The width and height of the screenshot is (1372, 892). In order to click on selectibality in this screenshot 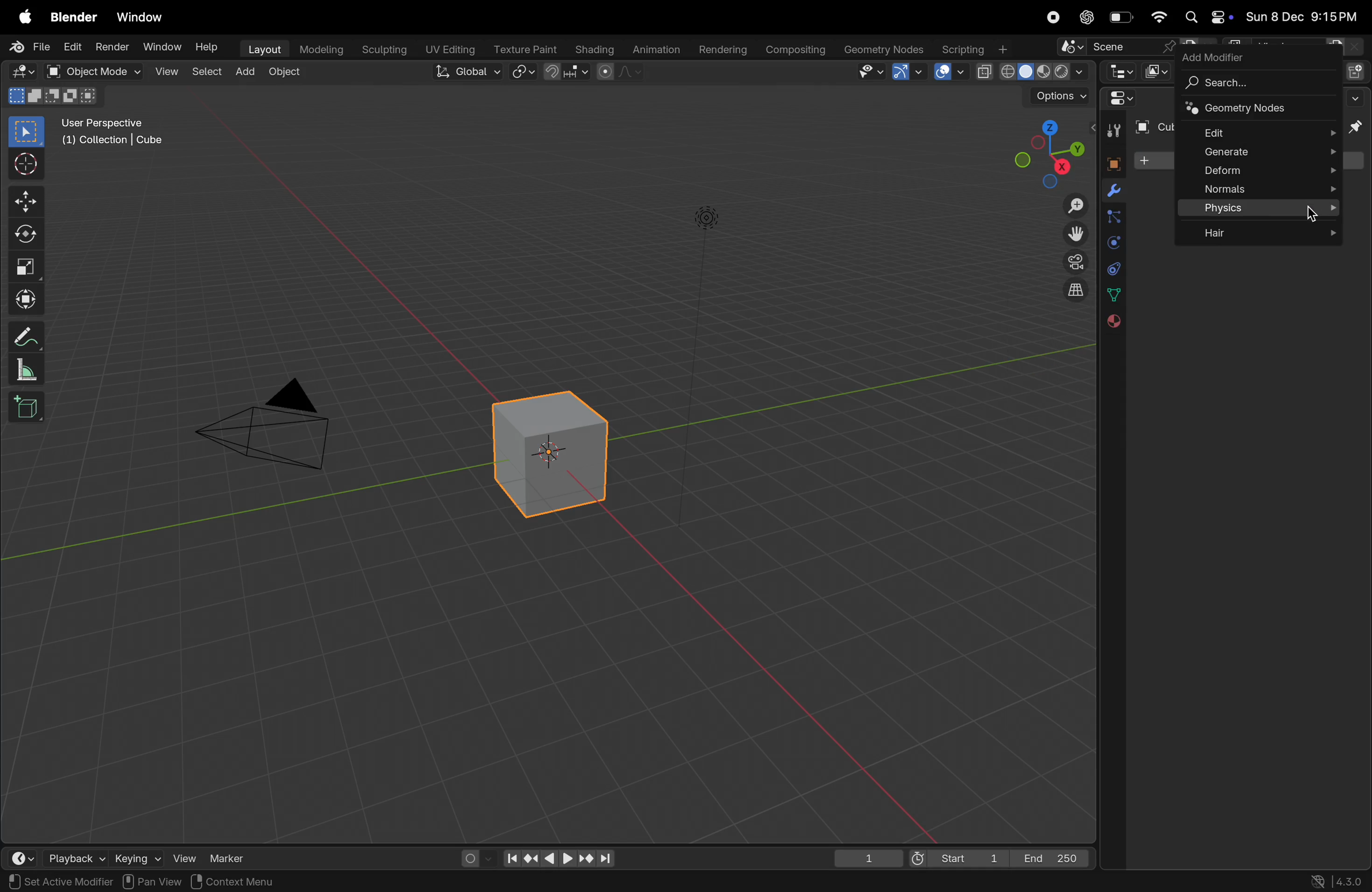, I will do `click(867, 71)`.